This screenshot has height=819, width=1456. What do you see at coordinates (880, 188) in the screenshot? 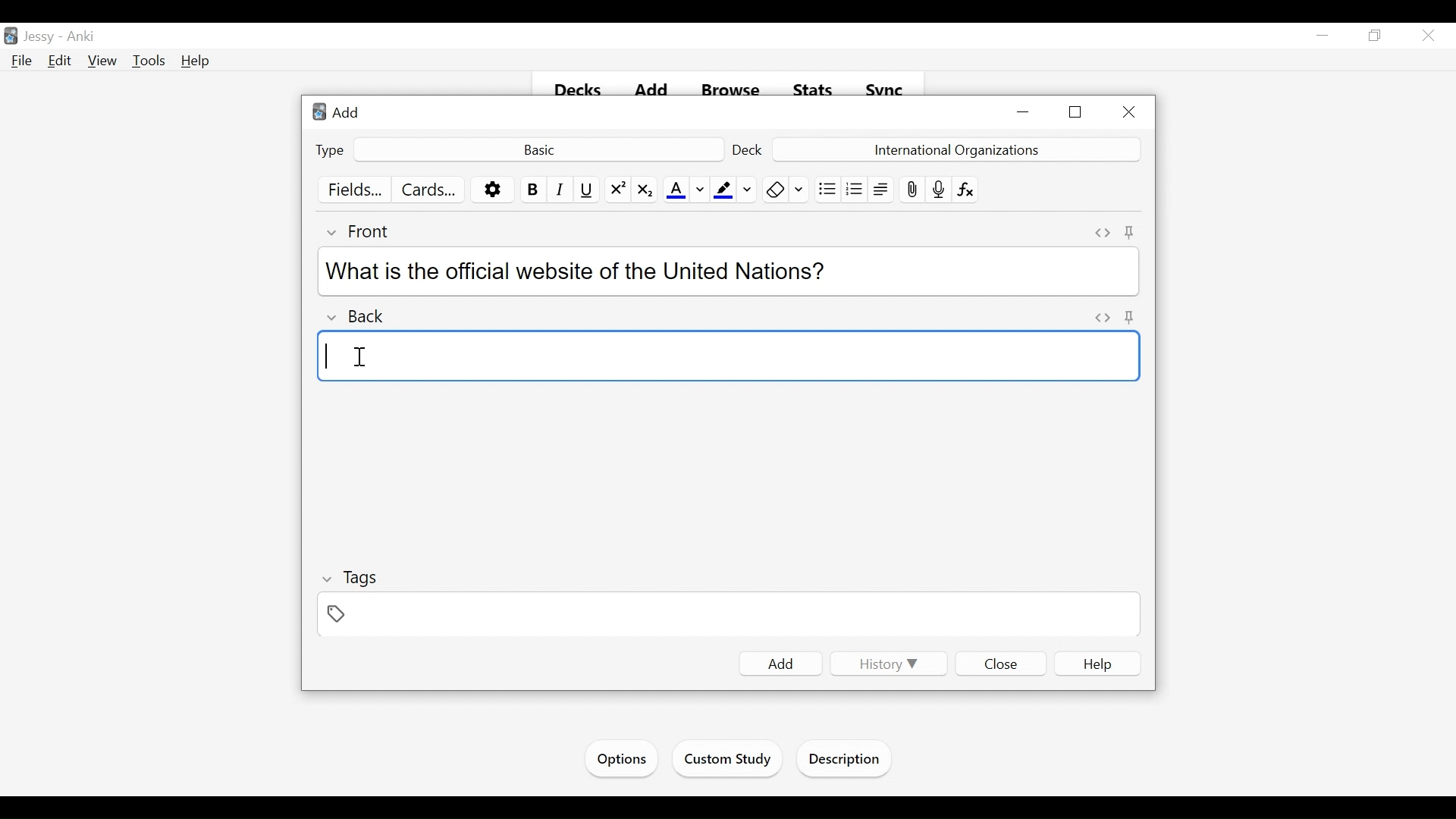
I see `Alignment` at bounding box center [880, 188].